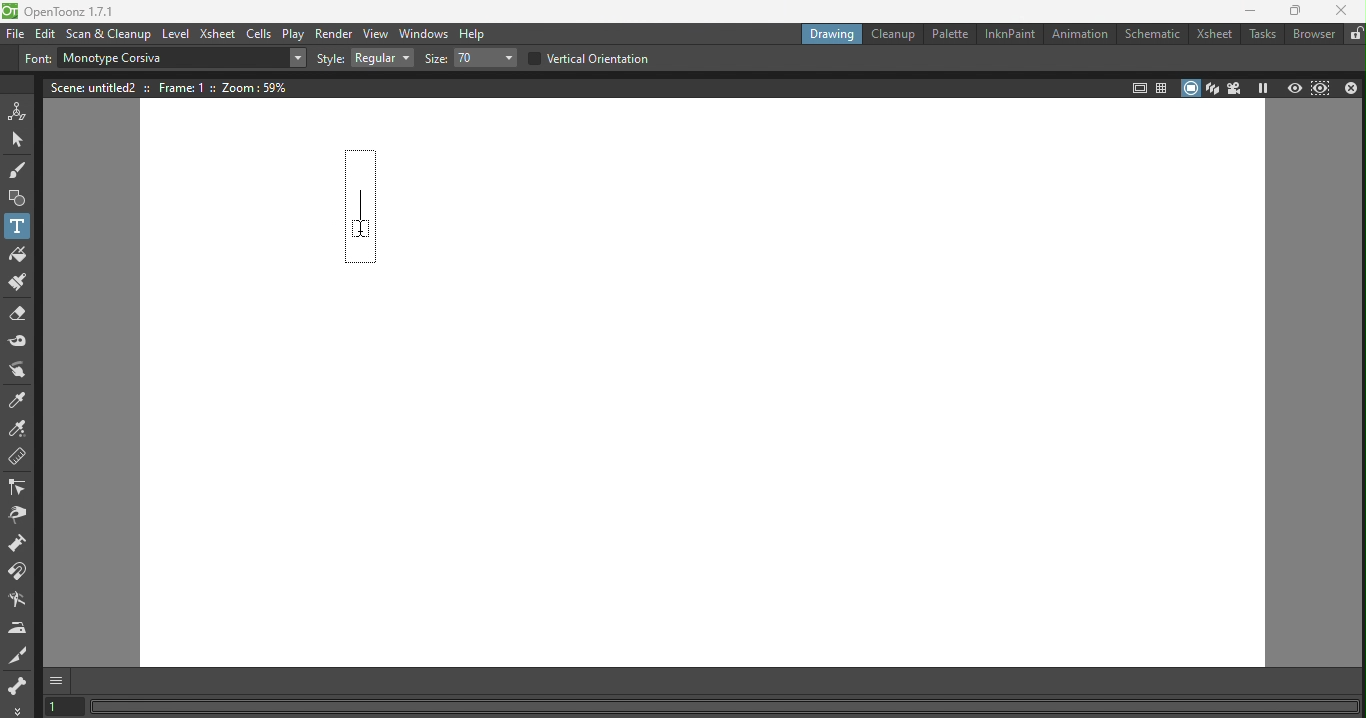  What do you see at coordinates (1344, 12) in the screenshot?
I see `Close` at bounding box center [1344, 12].